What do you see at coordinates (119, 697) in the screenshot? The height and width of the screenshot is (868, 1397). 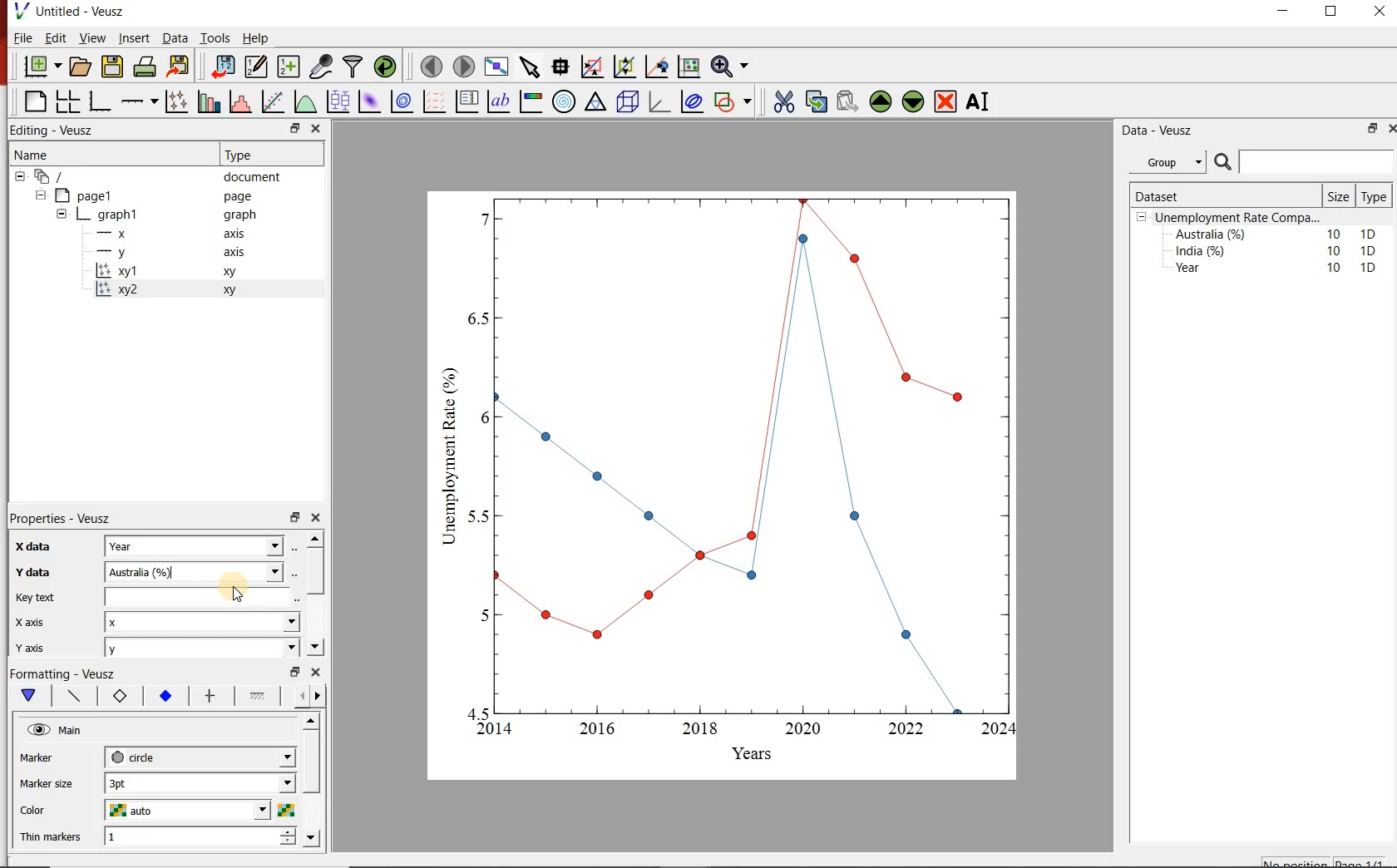 I see `marker border` at bounding box center [119, 697].